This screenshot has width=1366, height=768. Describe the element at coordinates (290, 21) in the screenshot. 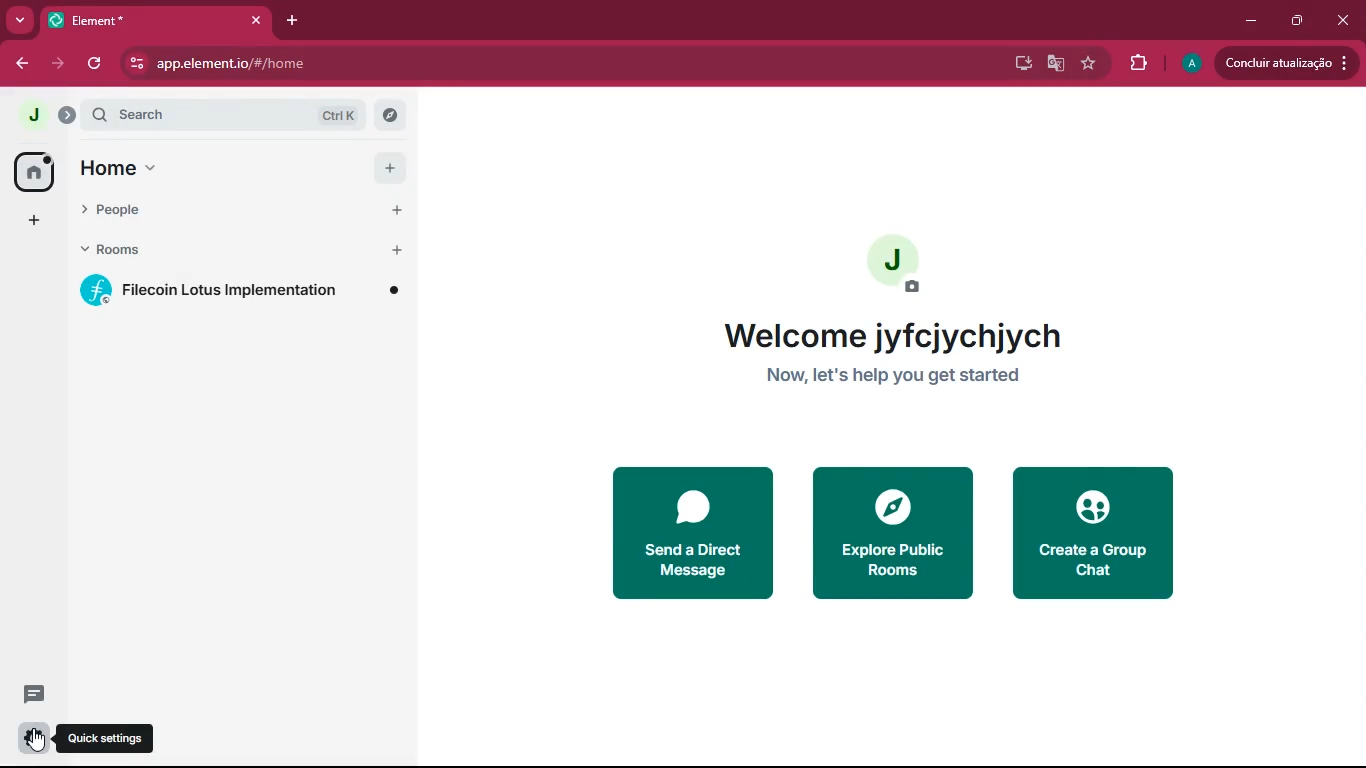

I see `add tab` at that location.